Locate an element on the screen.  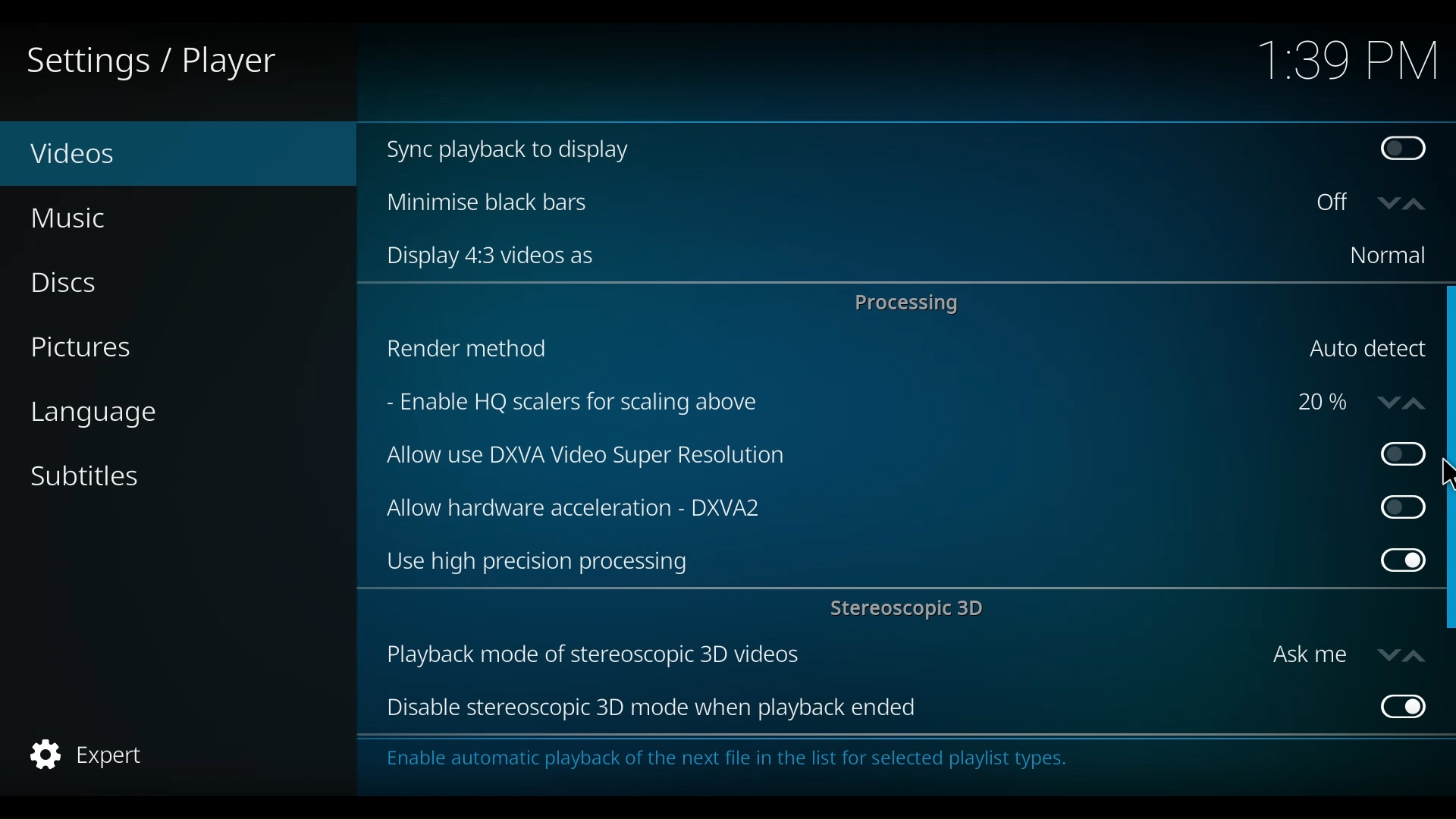
Pictures is located at coordinates (86, 350).